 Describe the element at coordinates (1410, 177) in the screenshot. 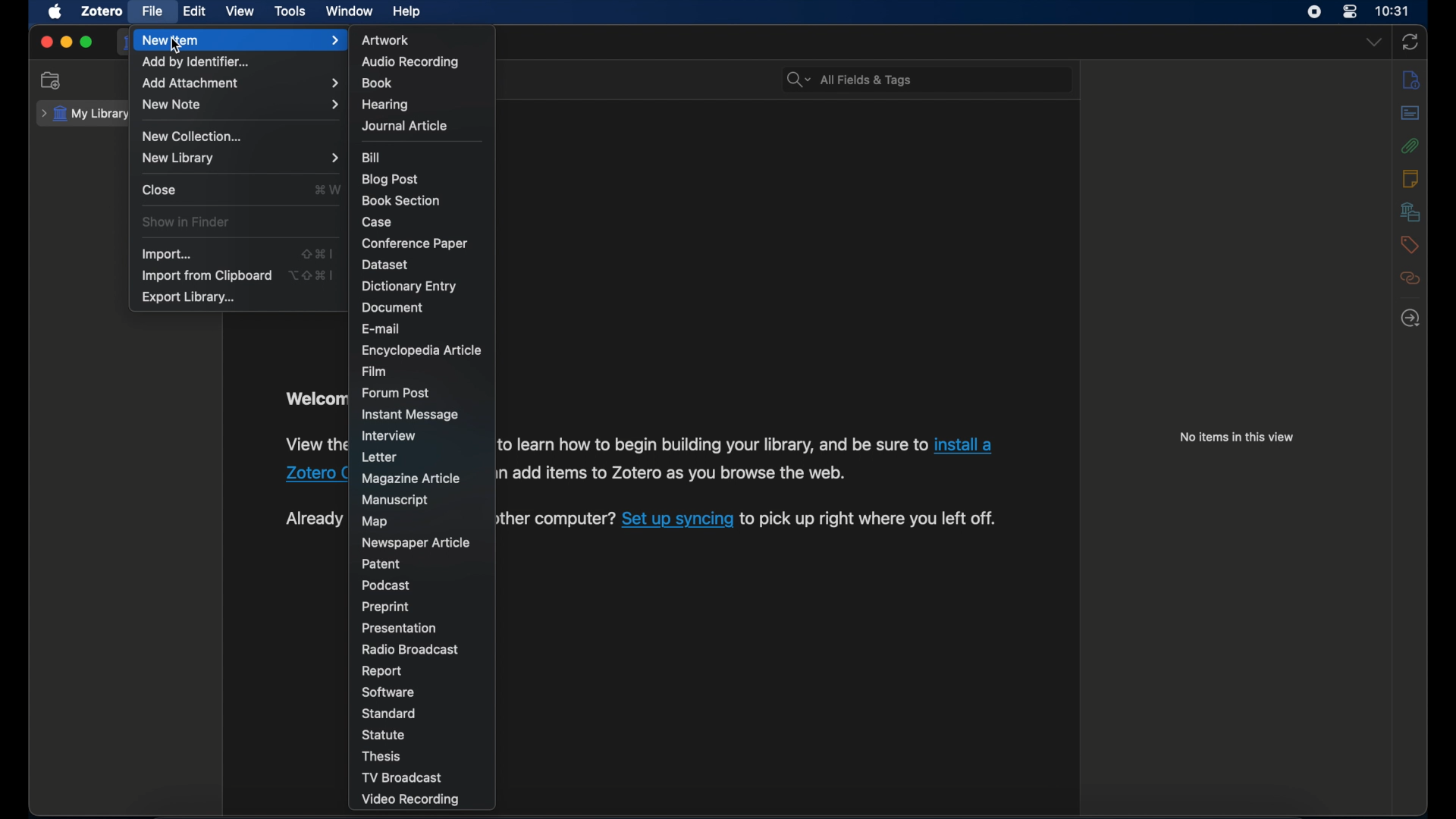

I see `notes` at that location.